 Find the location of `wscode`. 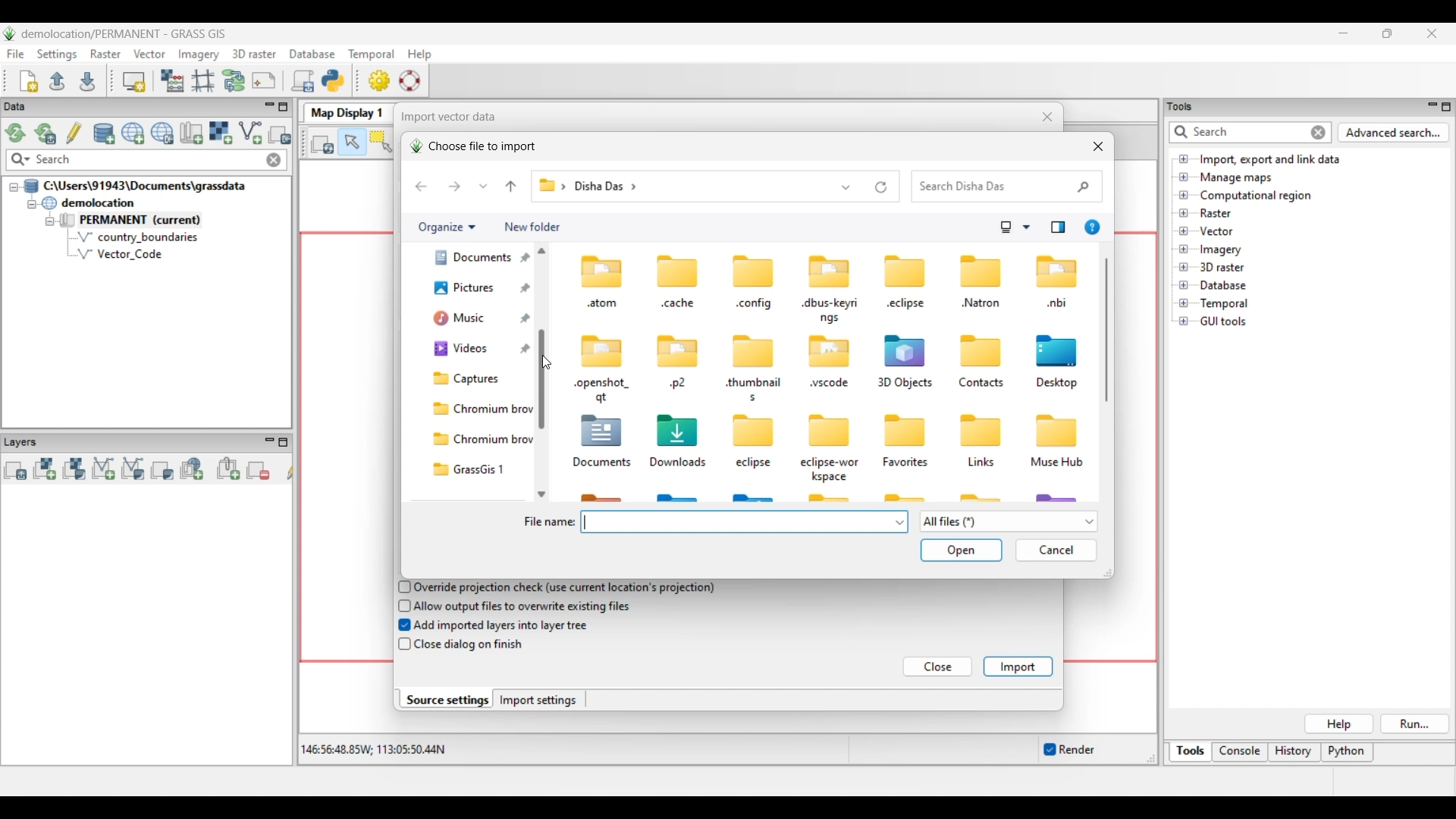

wscode is located at coordinates (830, 384).